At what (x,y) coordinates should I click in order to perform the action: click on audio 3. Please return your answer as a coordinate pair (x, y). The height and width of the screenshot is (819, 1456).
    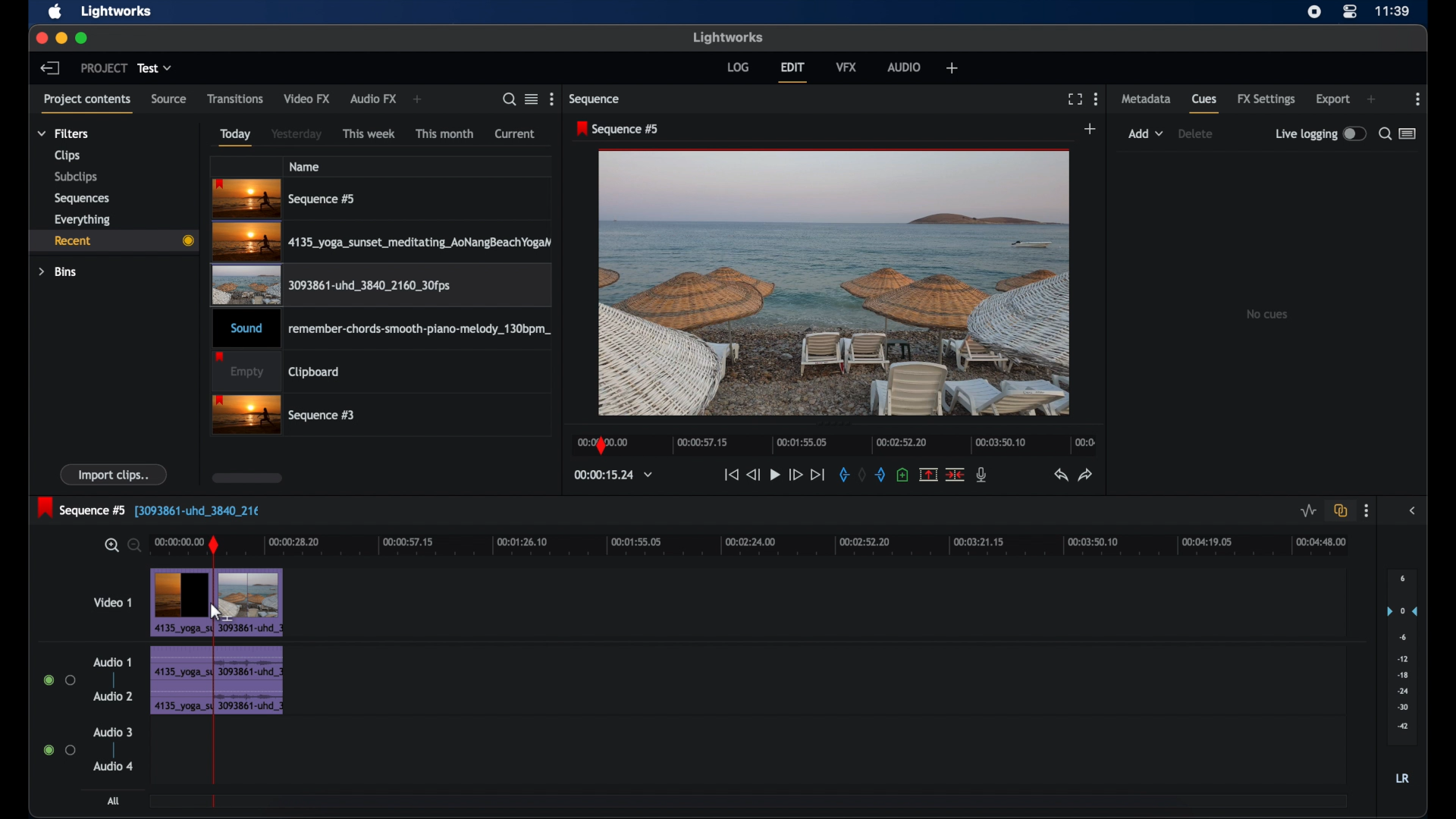
    Looking at the image, I should click on (114, 731).